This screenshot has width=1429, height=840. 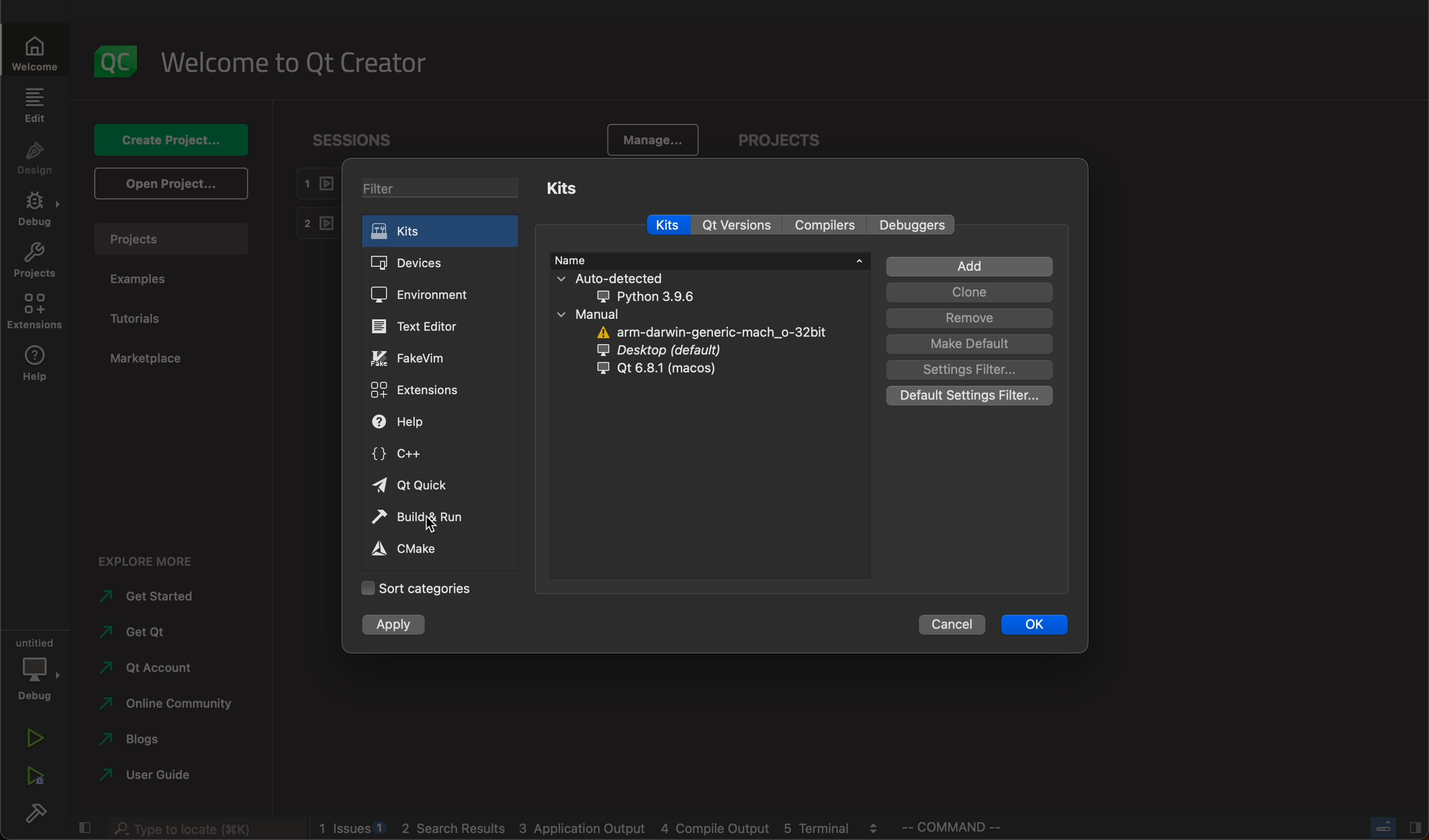 What do you see at coordinates (154, 597) in the screenshot?
I see `started` at bounding box center [154, 597].